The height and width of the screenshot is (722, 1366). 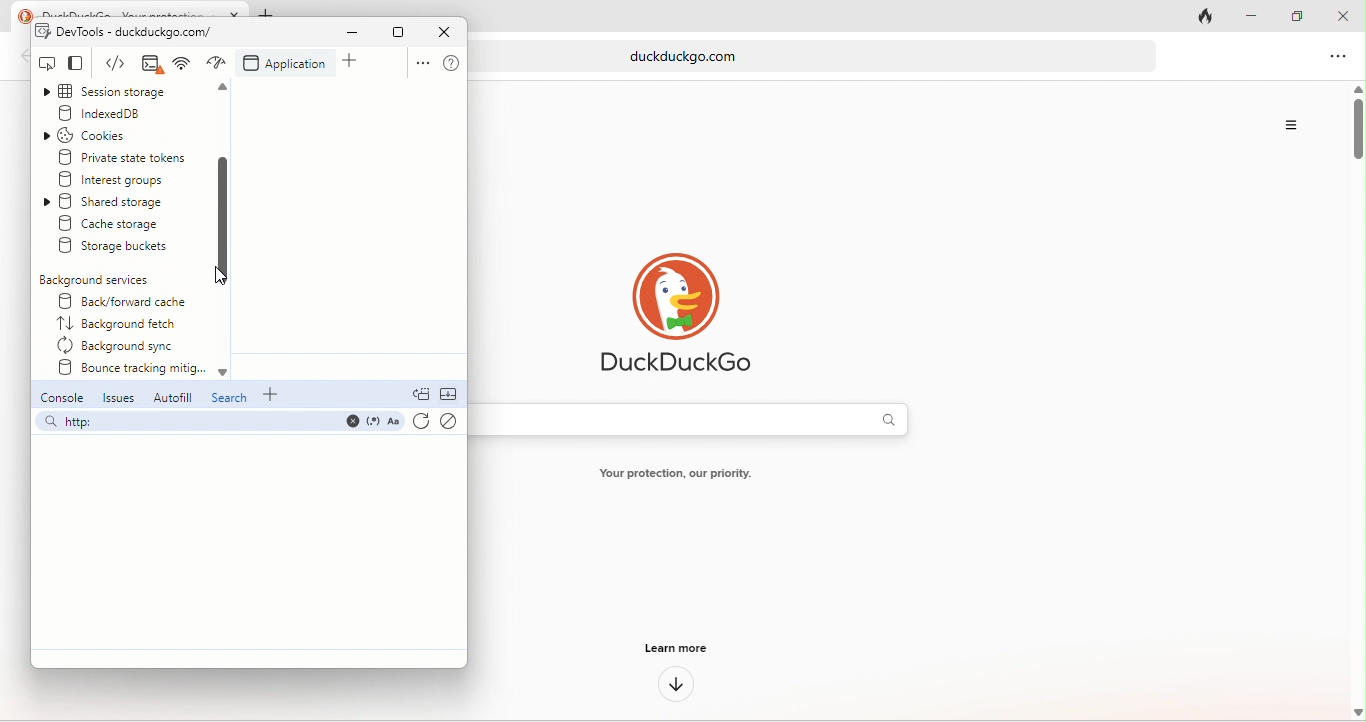 What do you see at coordinates (674, 314) in the screenshot?
I see `duck duck go logo` at bounding box center [674, 314].